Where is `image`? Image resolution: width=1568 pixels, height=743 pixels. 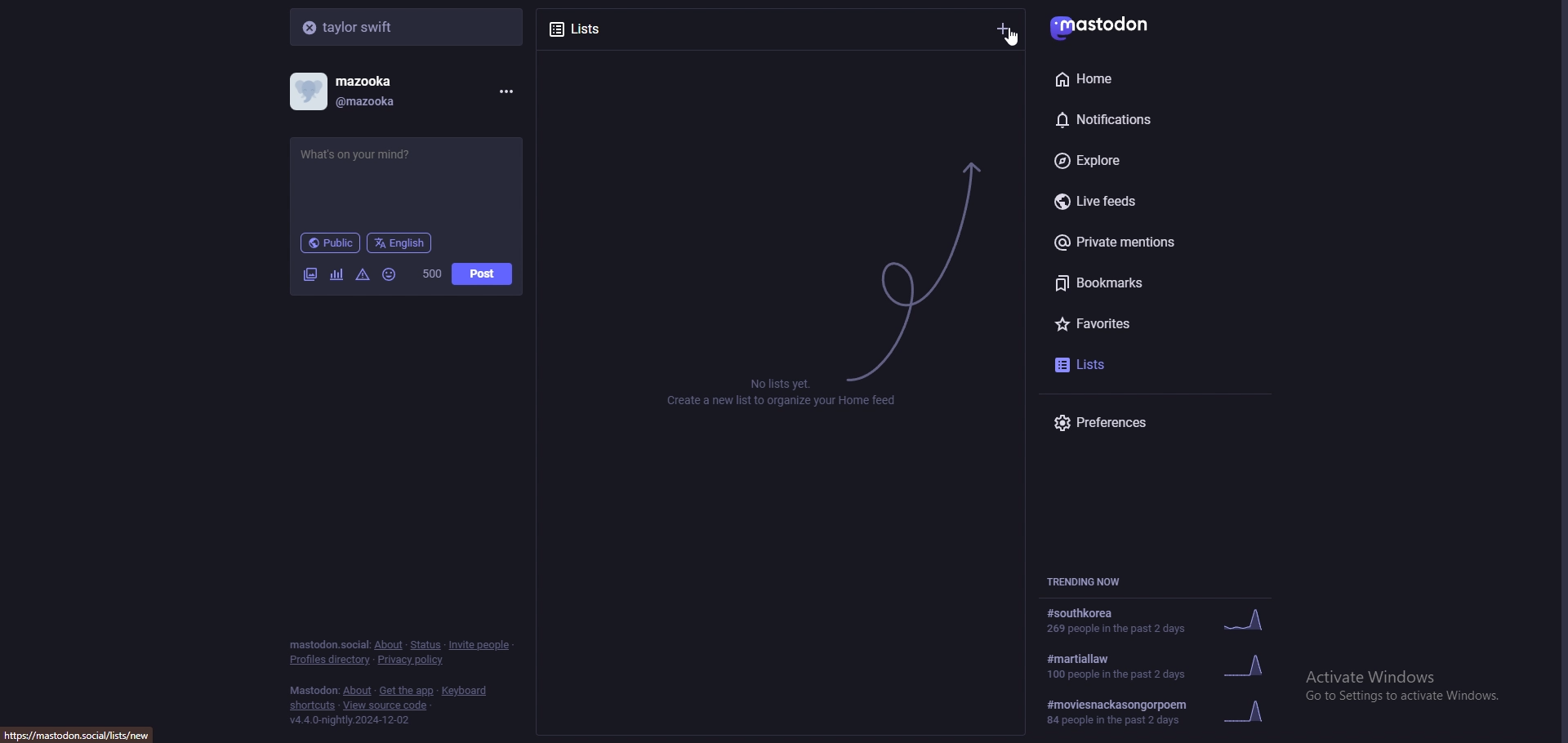
image is located at coordinates (310, 274).